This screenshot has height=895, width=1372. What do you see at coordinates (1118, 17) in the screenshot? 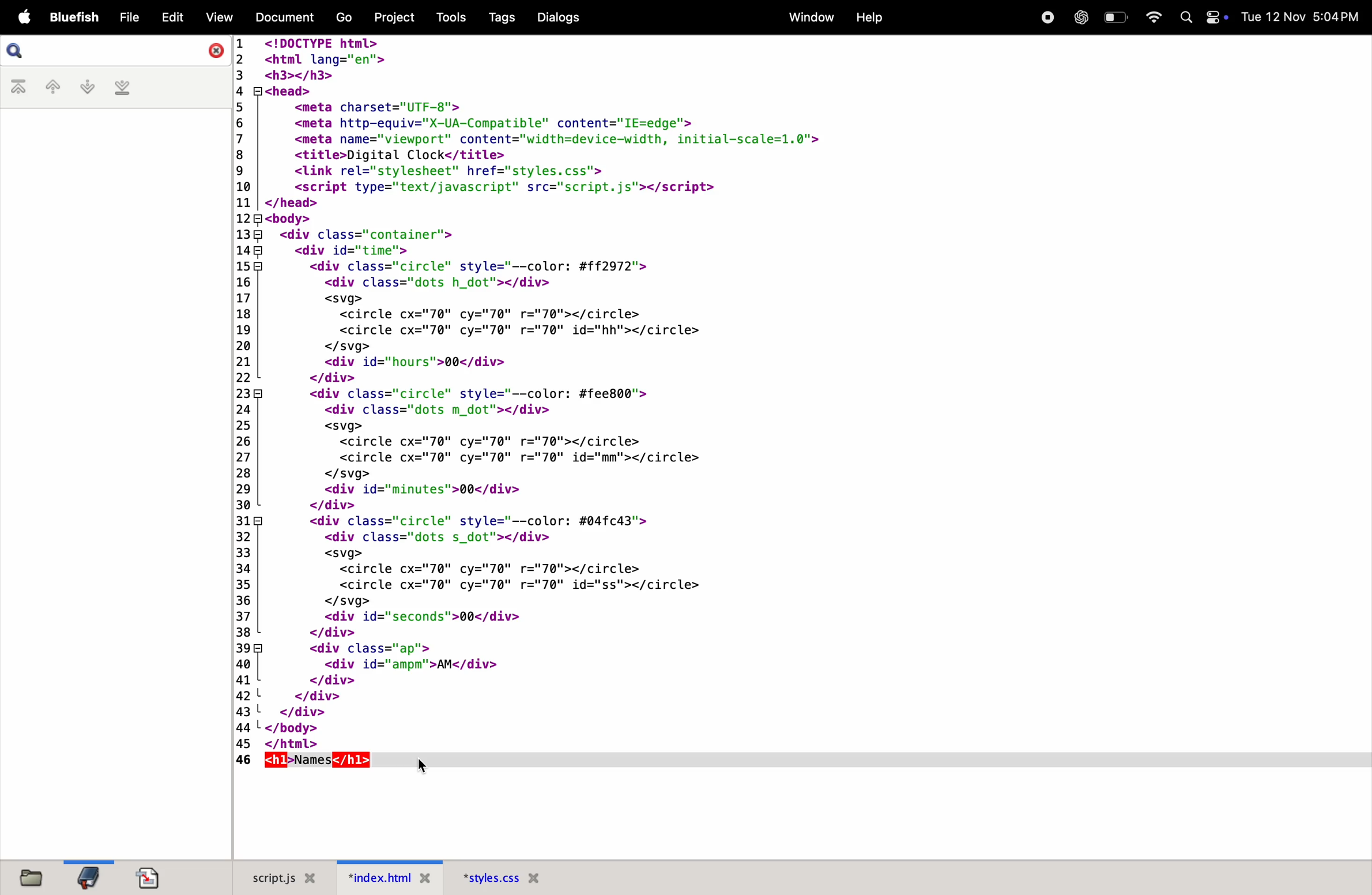
I see `battery` at bounding box center [1118, 17].